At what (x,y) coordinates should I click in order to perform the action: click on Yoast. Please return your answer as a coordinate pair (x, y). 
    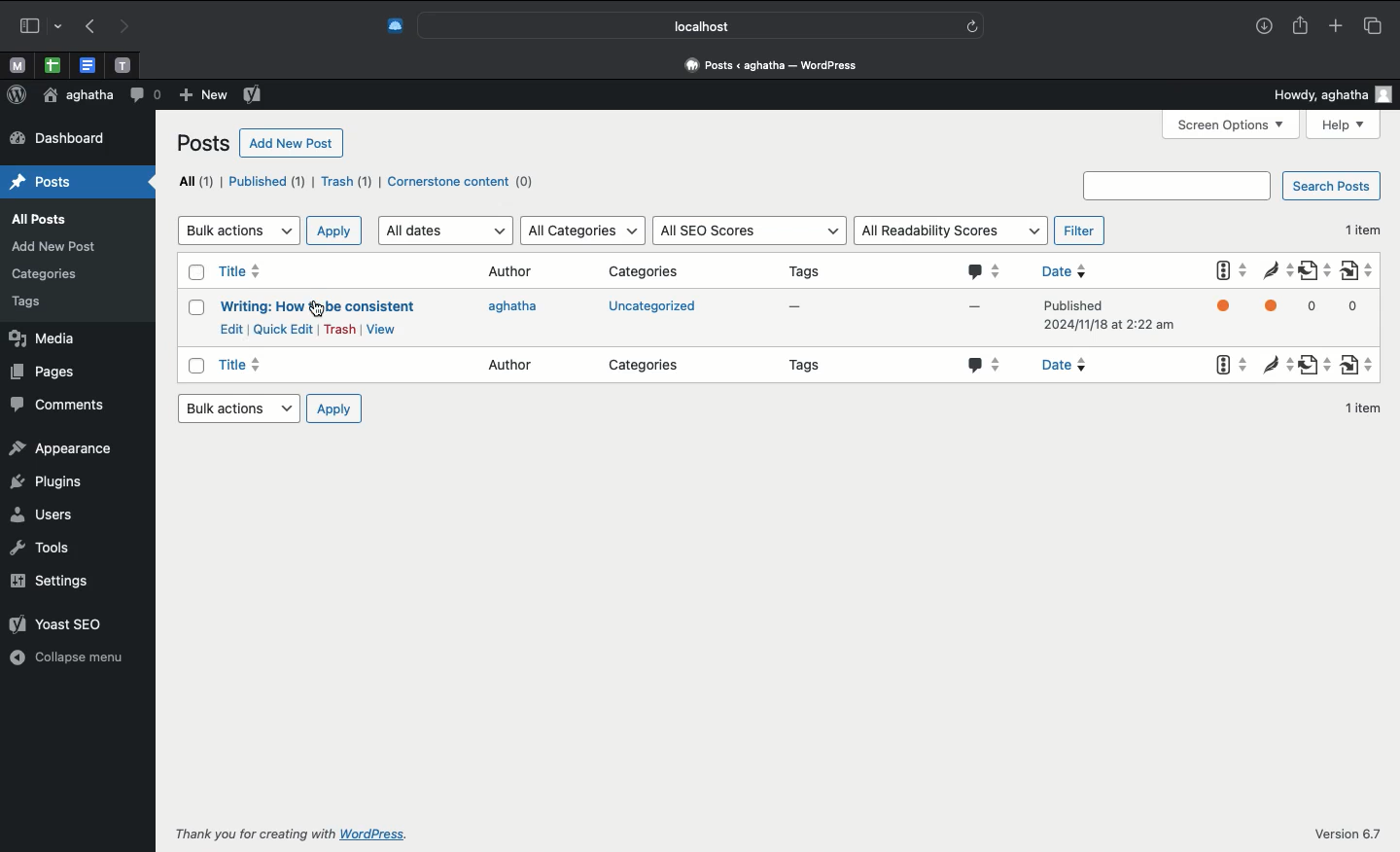
    Looking at the image, I should click on (63, 619).